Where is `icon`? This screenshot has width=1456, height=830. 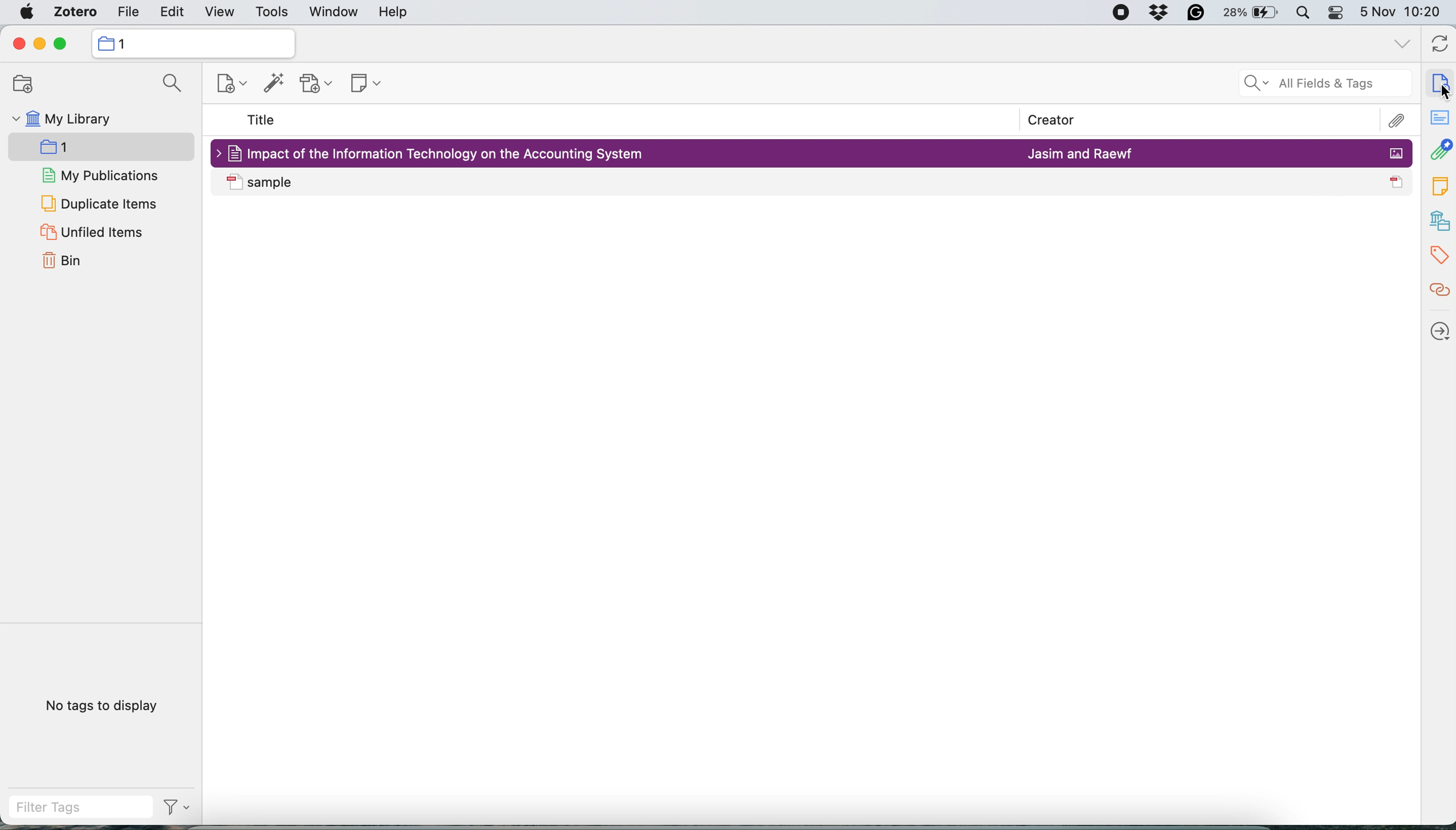
icon is located at coordinates (105, 43).